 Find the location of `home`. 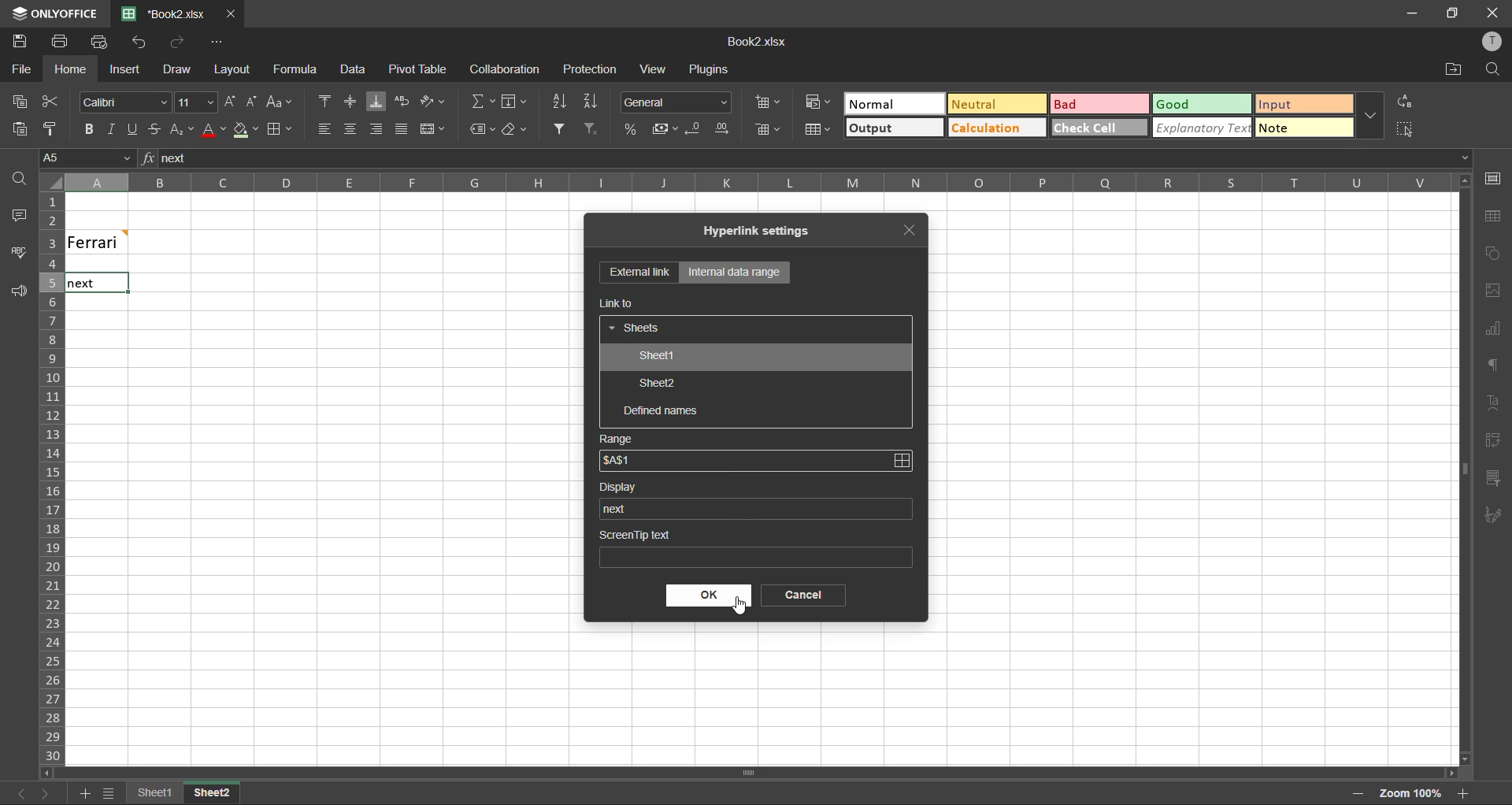

home is located at coordinates (66, 69).